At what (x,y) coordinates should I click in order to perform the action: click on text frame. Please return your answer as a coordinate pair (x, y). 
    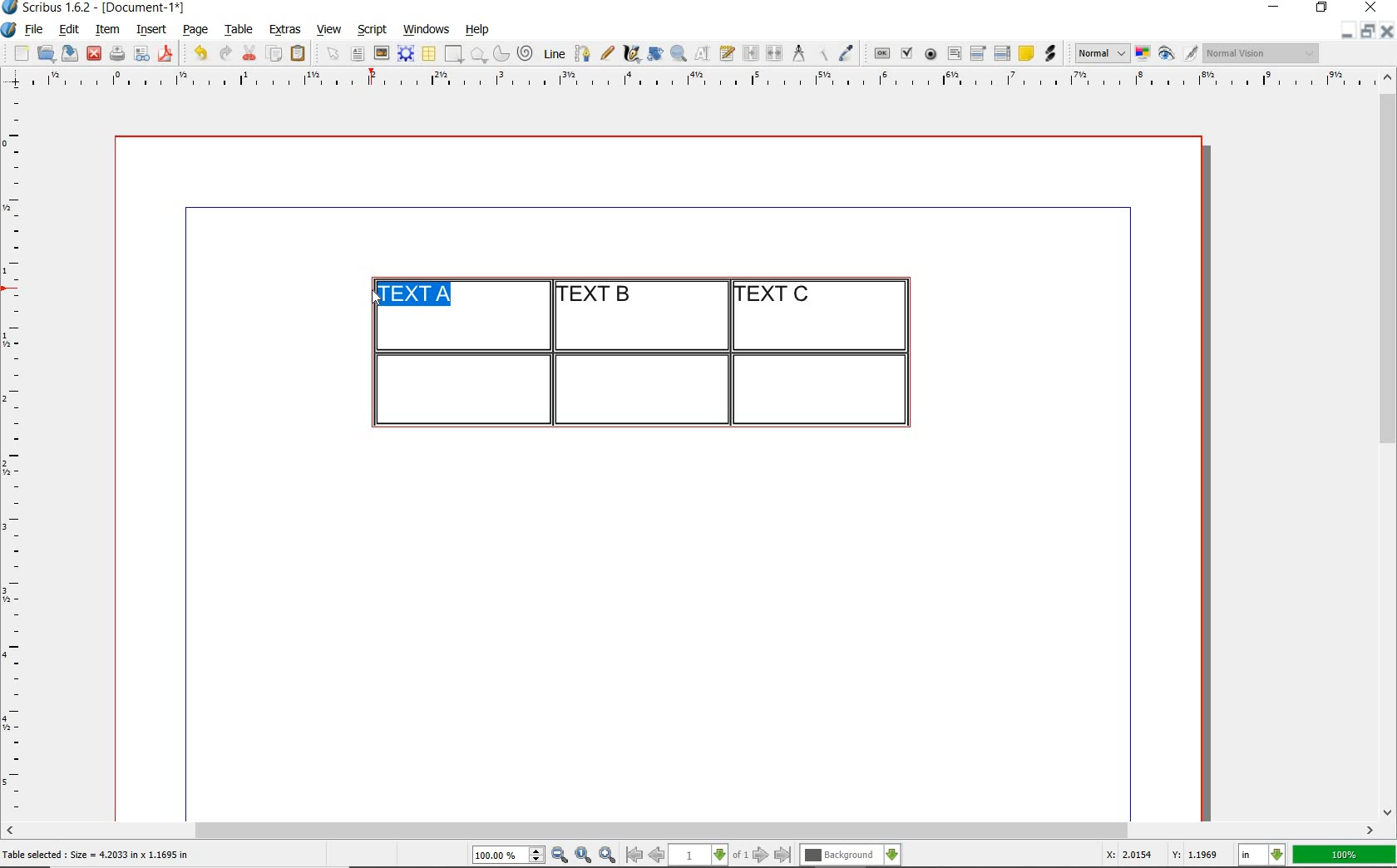
    Looking at the image, I should click on (357, 55).